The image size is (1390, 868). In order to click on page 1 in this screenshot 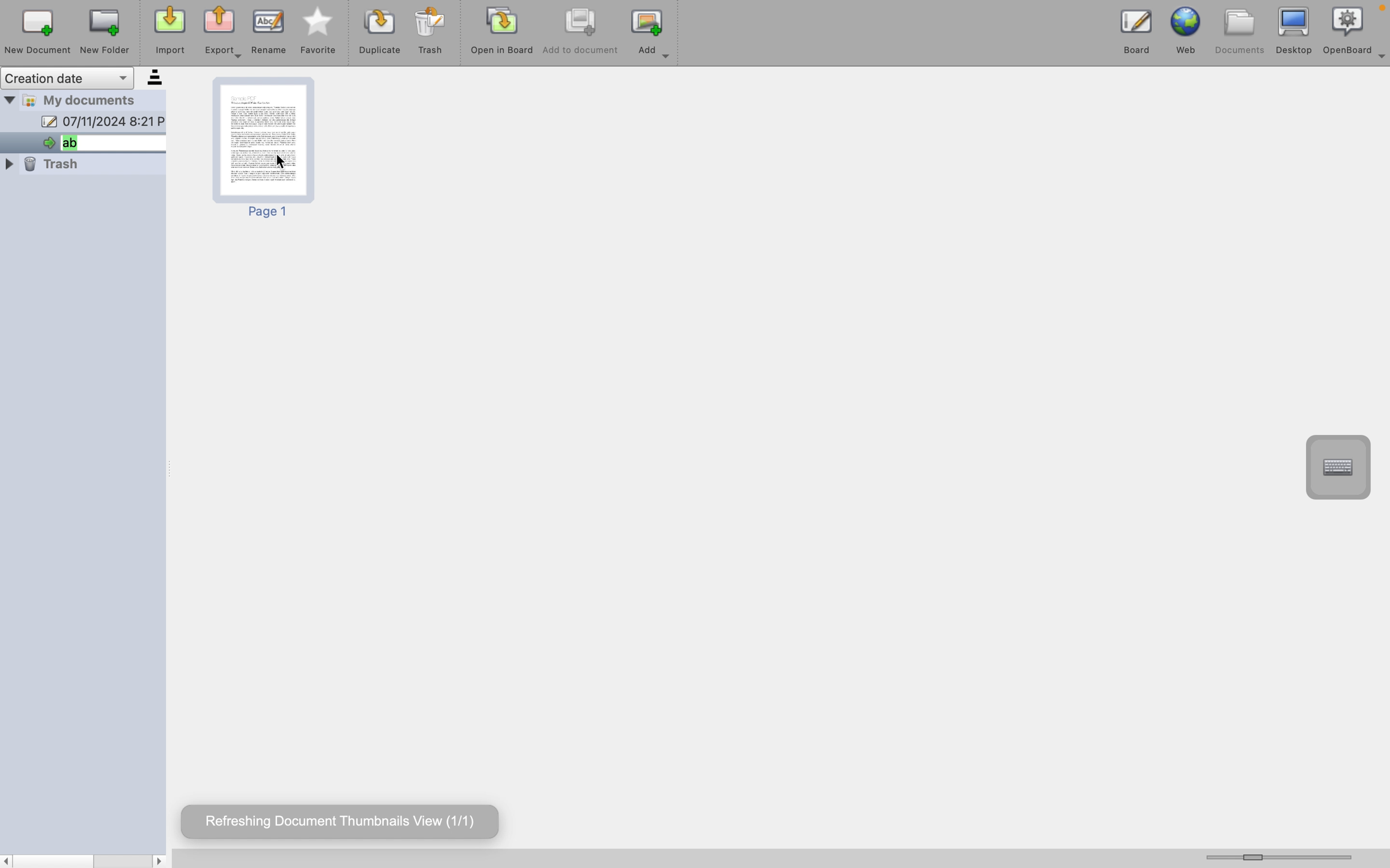, I will do `click(265, 149)`.